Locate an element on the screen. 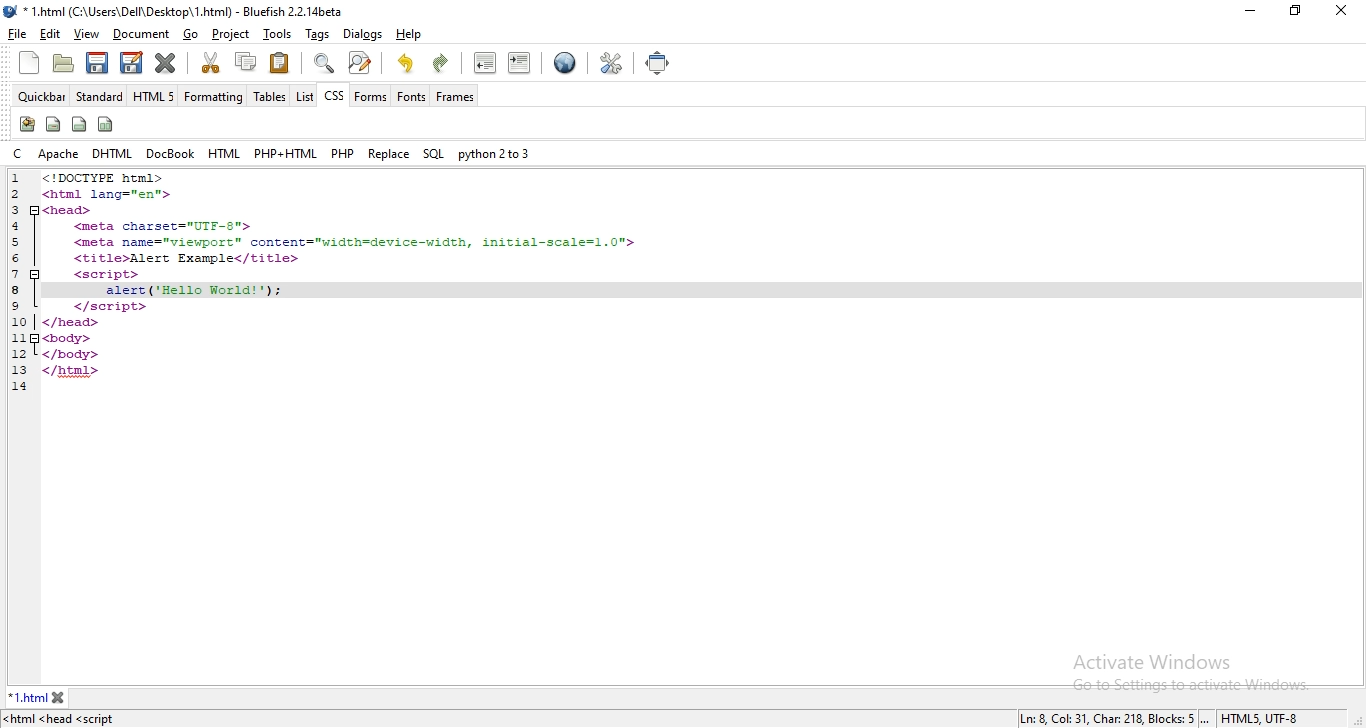 Image resolution: width=1366 pixels, height=728 pixels. HTMLS, UTF-8 is located at coordinates (1261, 719).